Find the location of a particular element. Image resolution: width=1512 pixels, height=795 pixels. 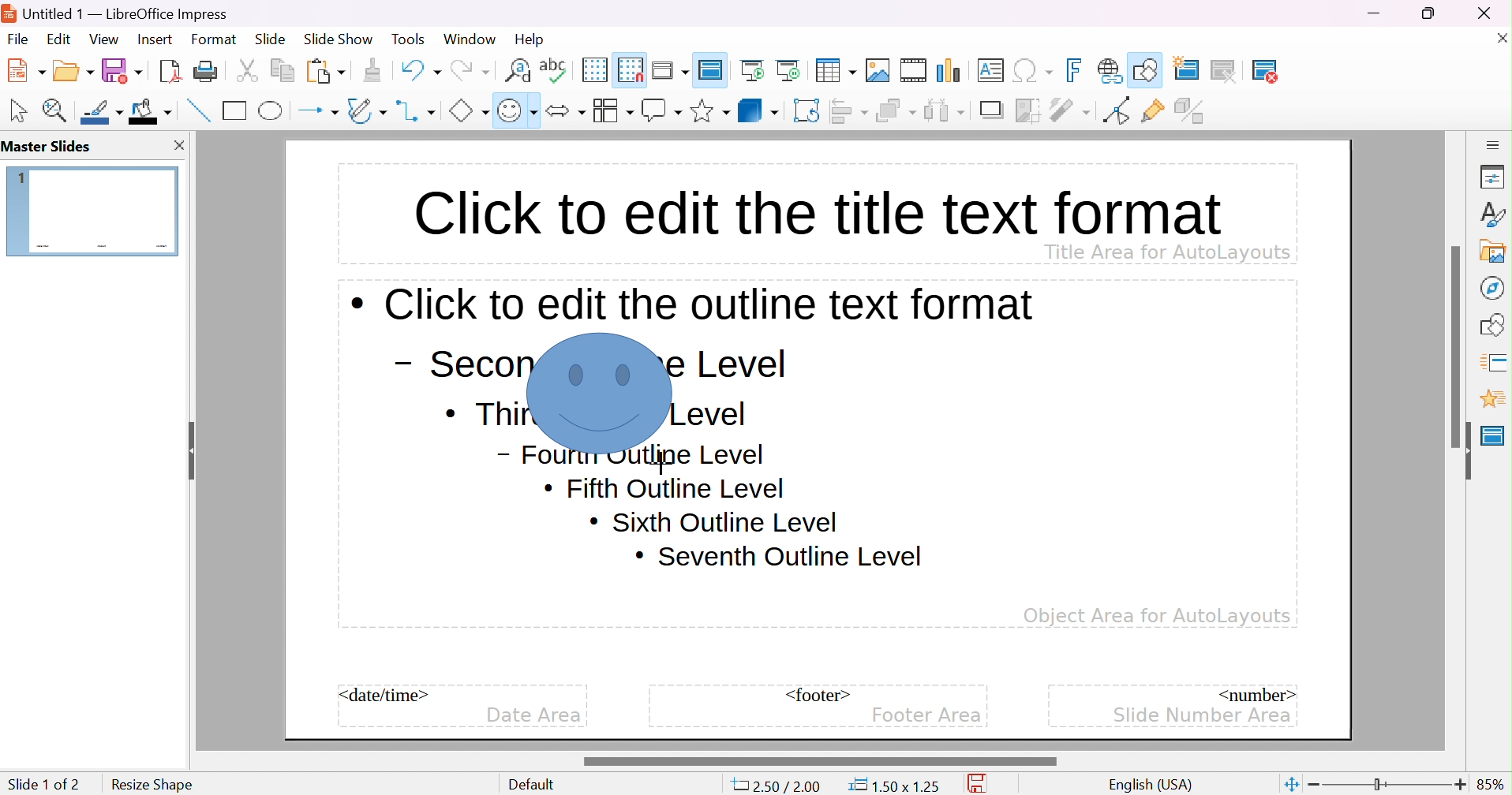

help is located at coordinates (531, 39).